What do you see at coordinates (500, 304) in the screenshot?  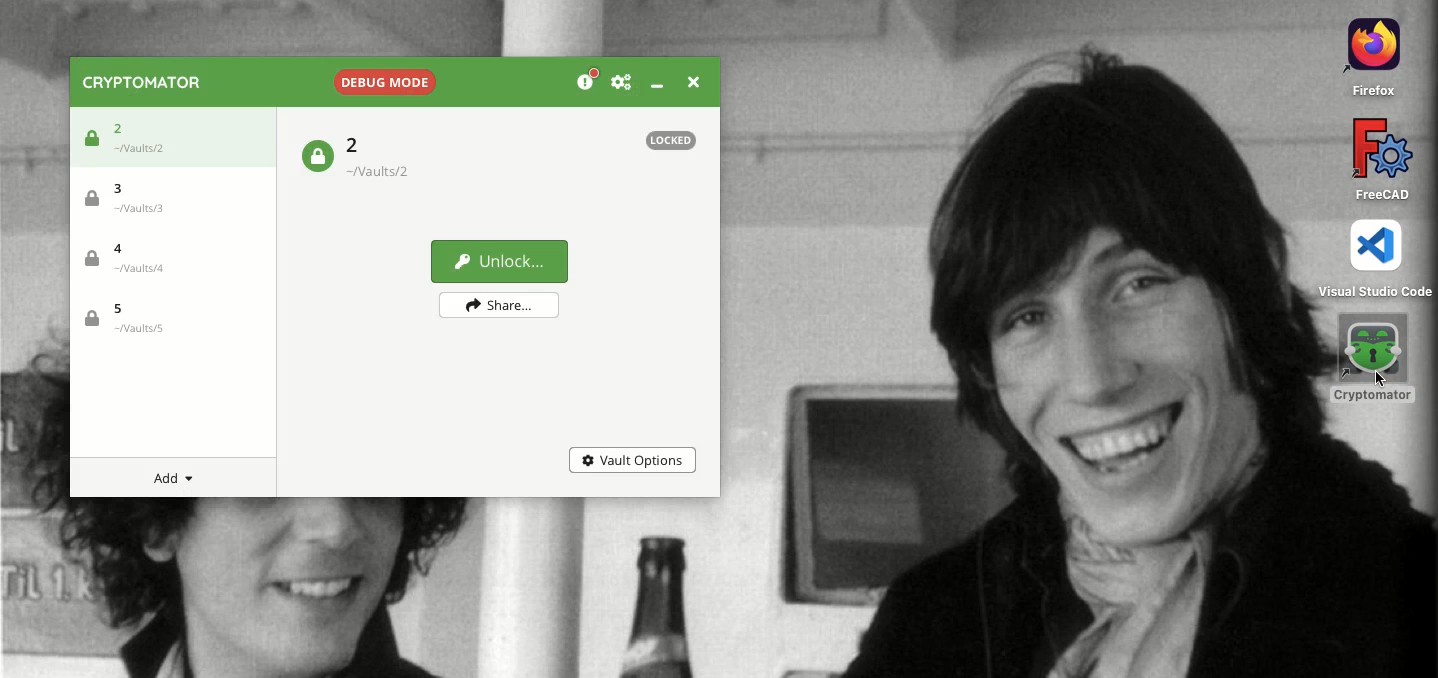 I see `Share` at bounding box center [500, 304].